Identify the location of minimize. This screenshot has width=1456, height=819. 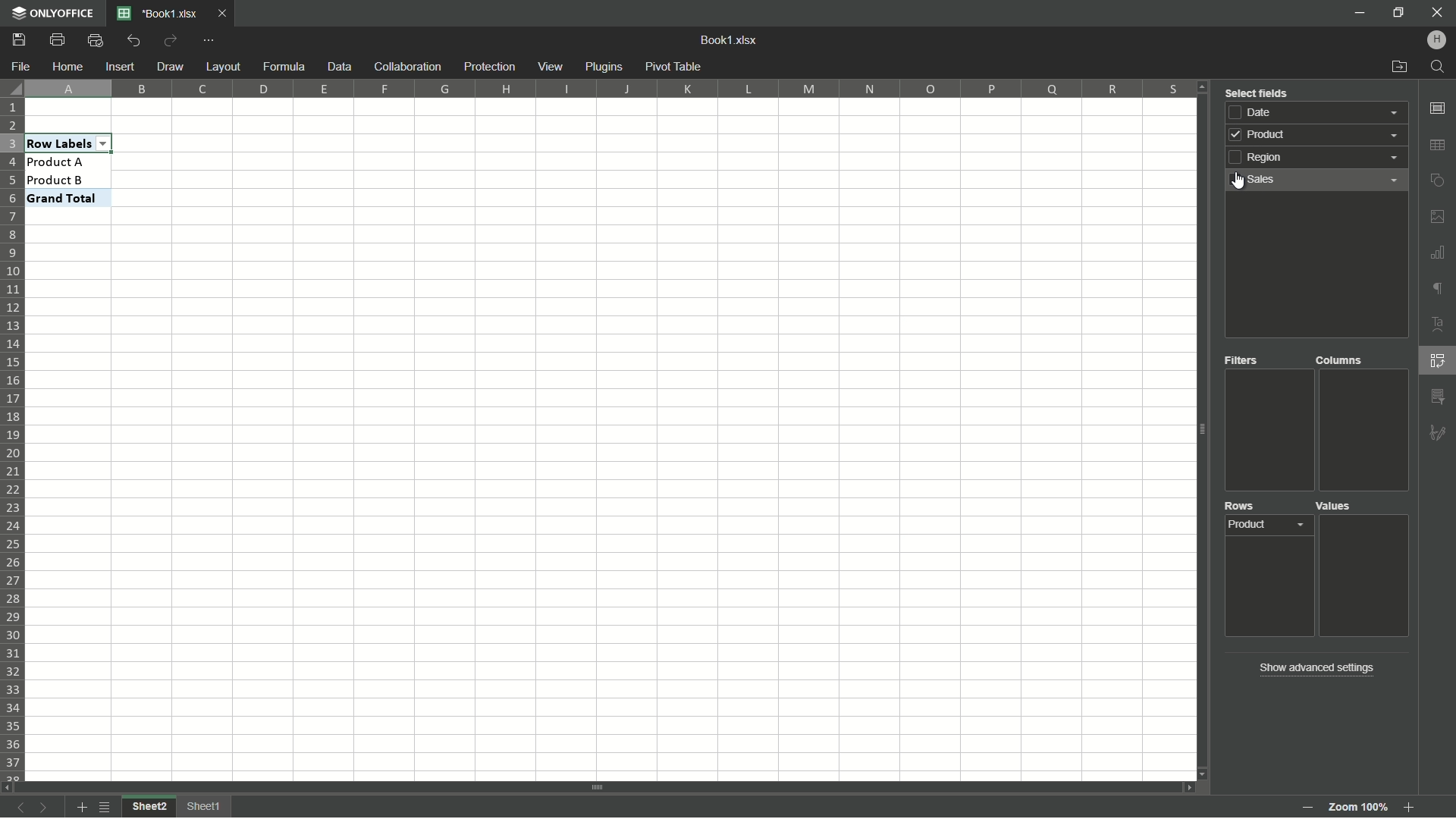
(1359, 13).